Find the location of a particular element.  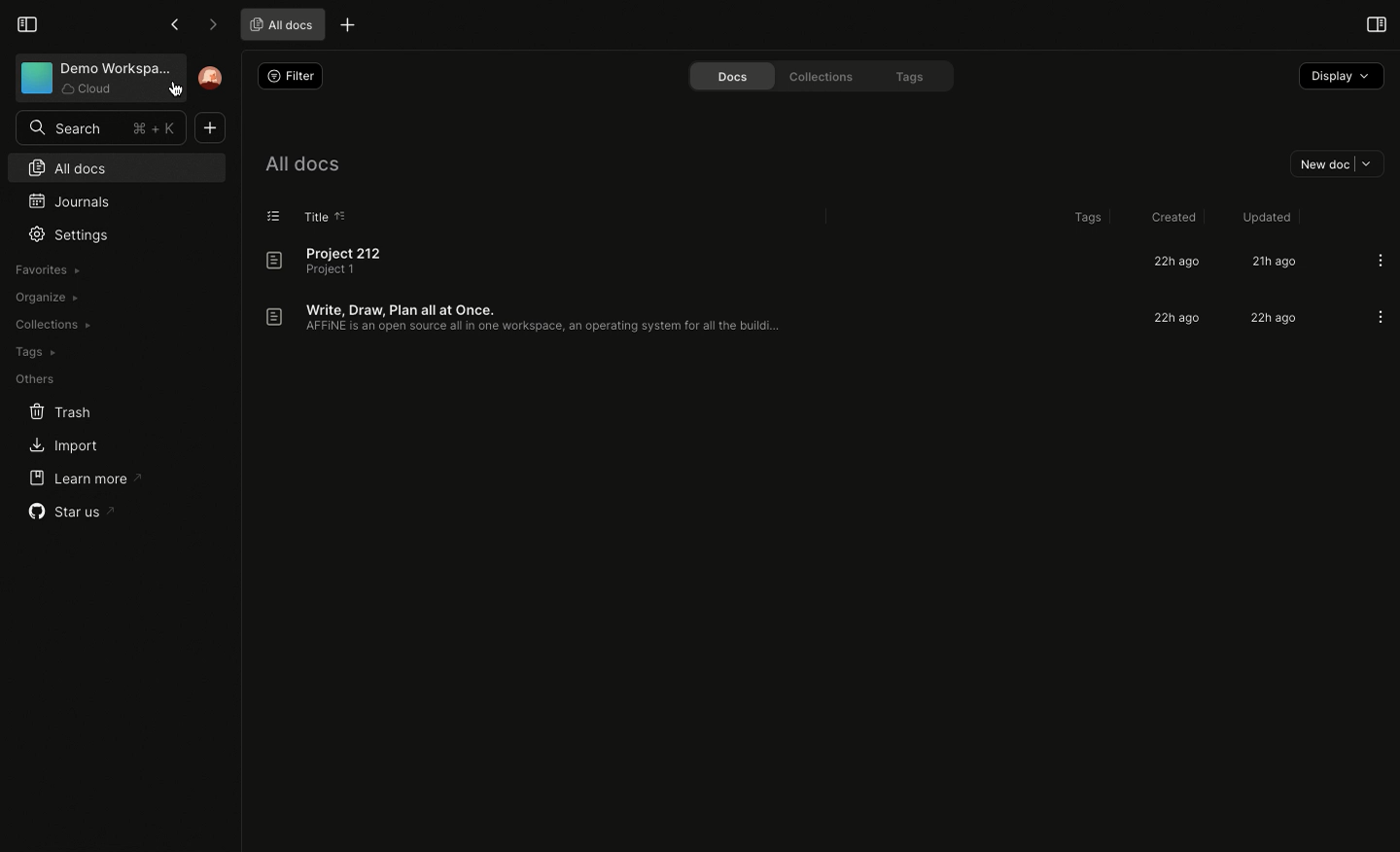

Favorites is located at coordinates (49, 268).